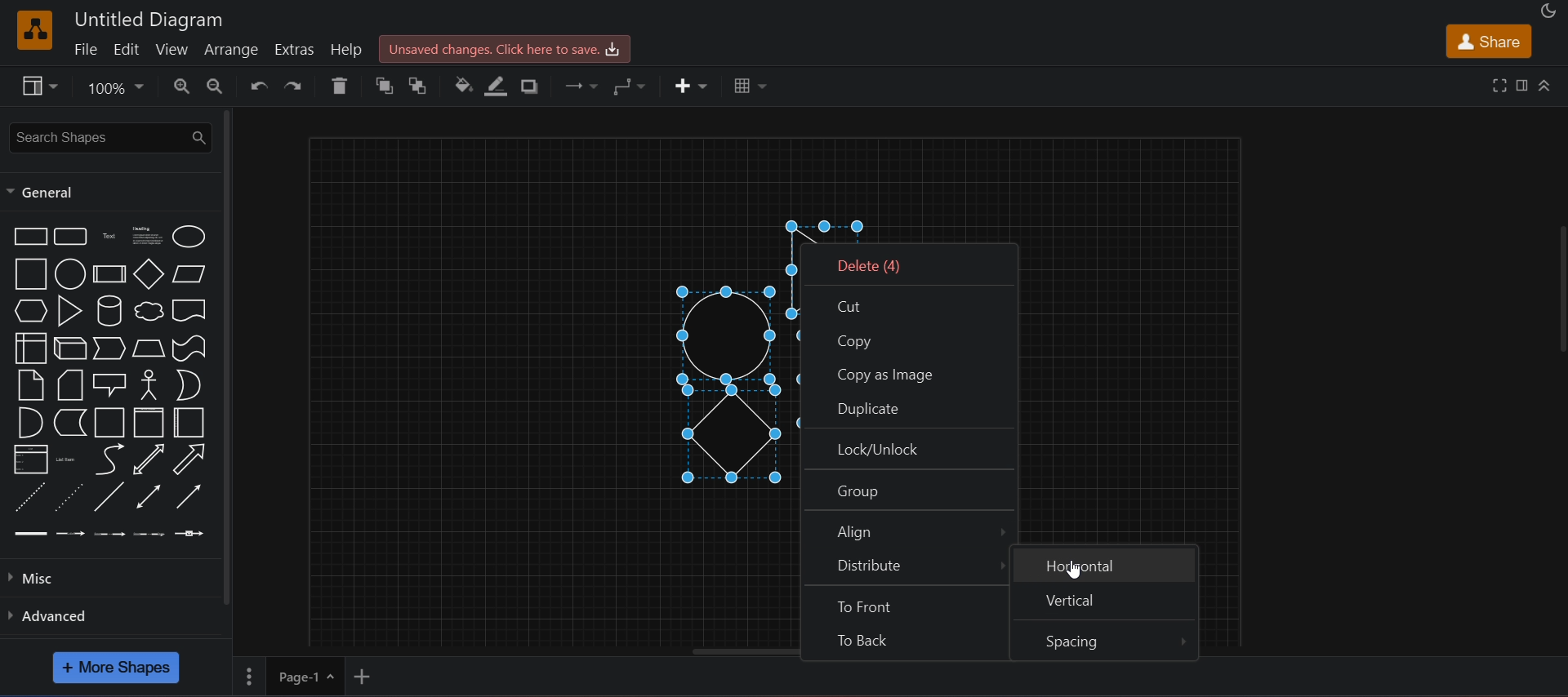 This screenshot has height=697, width=1568. What do you see at coordinates (187, 237) in the screenshot?
I see `ellipse` at bounding box center [187, 237].